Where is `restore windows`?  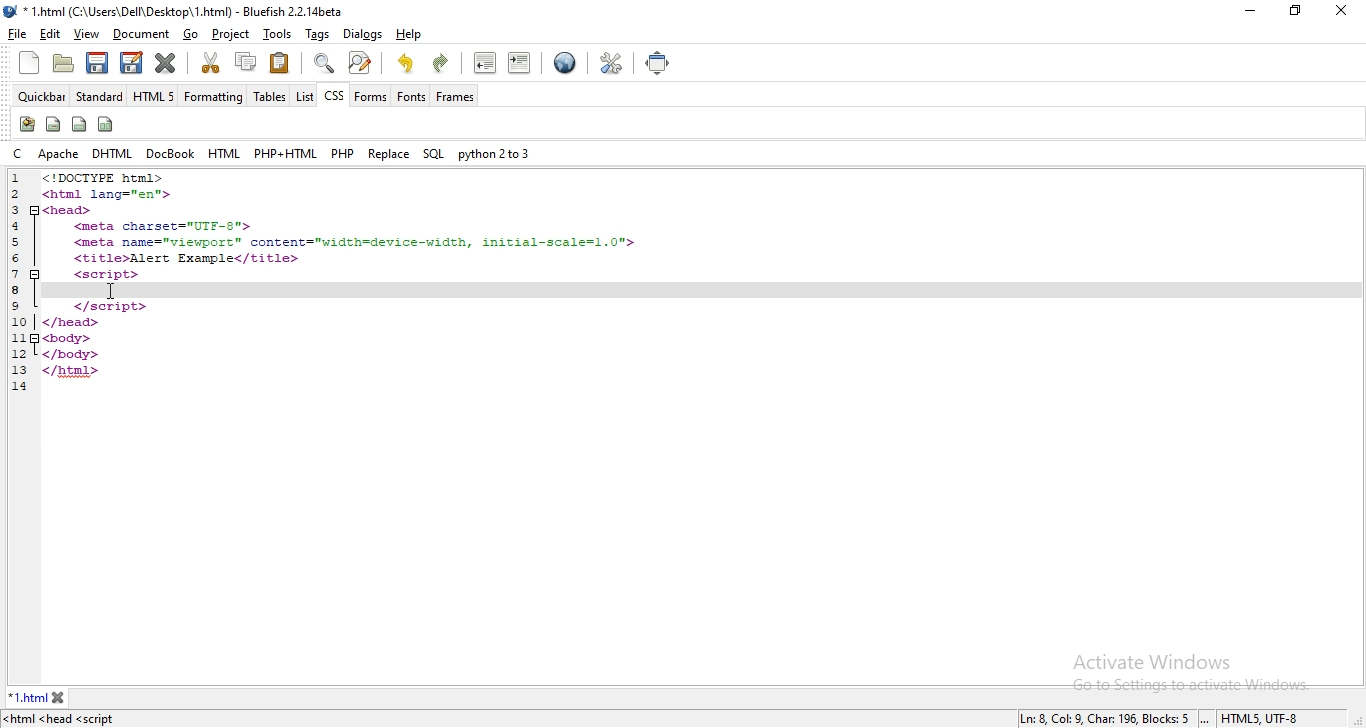 restore windows is located at coordinates (1297, 10).